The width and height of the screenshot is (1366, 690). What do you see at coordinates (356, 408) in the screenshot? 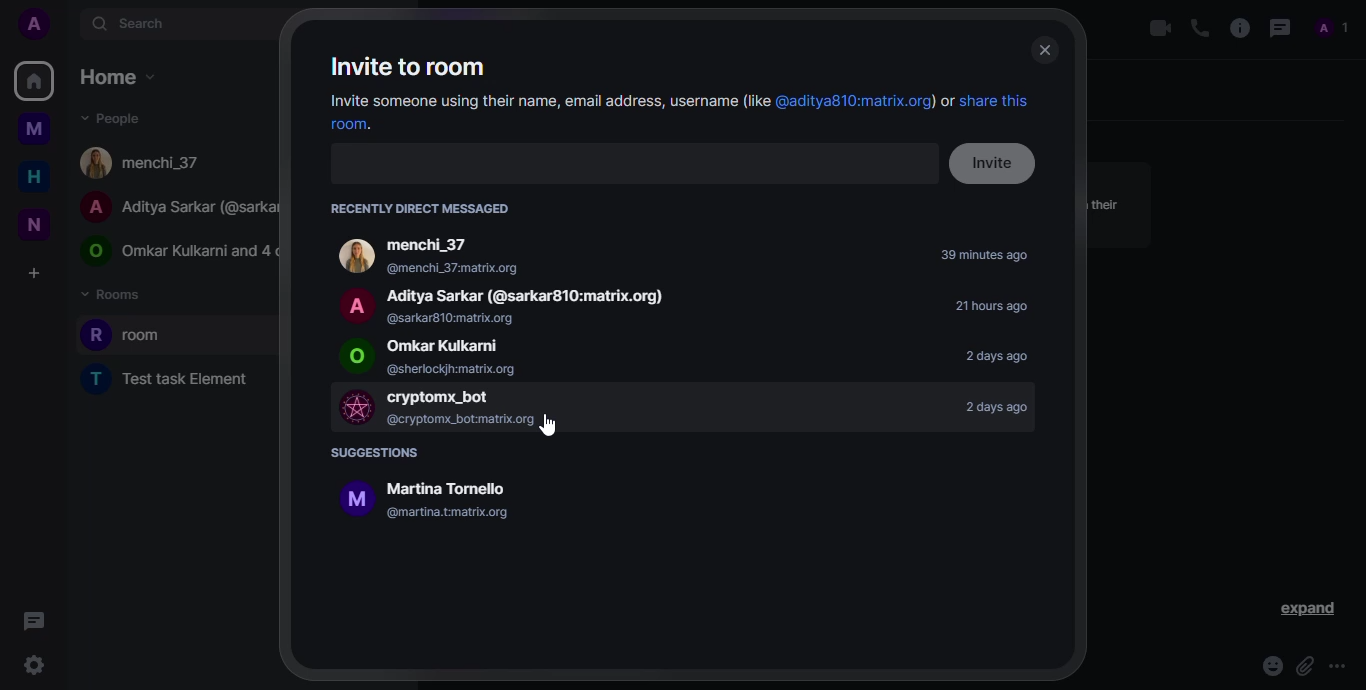
I see `logo` at bounding box center [356, 408].